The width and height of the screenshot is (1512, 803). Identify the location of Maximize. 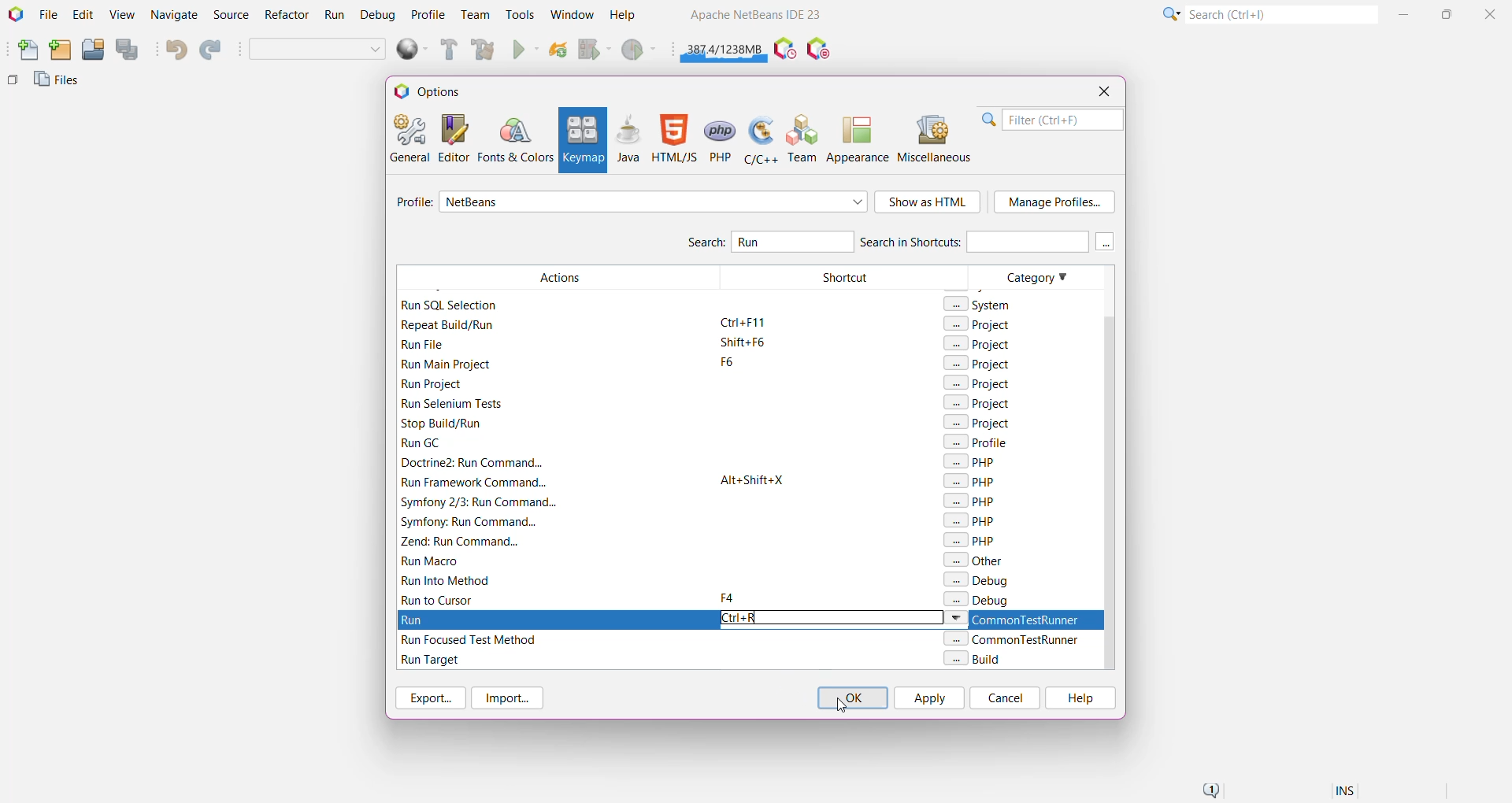
(1449, 13).